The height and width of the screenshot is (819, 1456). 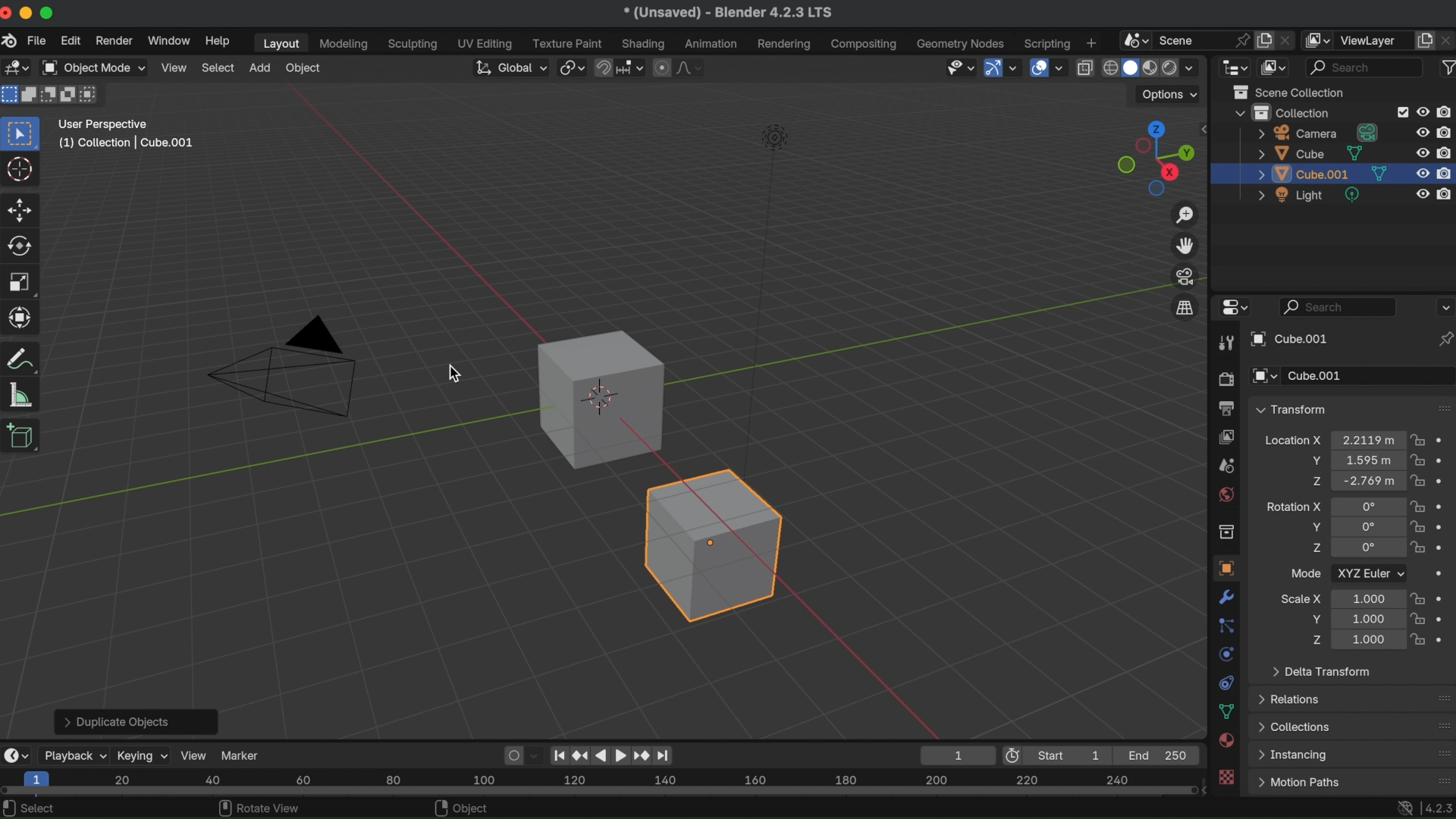 What do you see at coordinates (1293, 92) in the screenshot?
I see `scene collection` at bounding box center [1293, 92].